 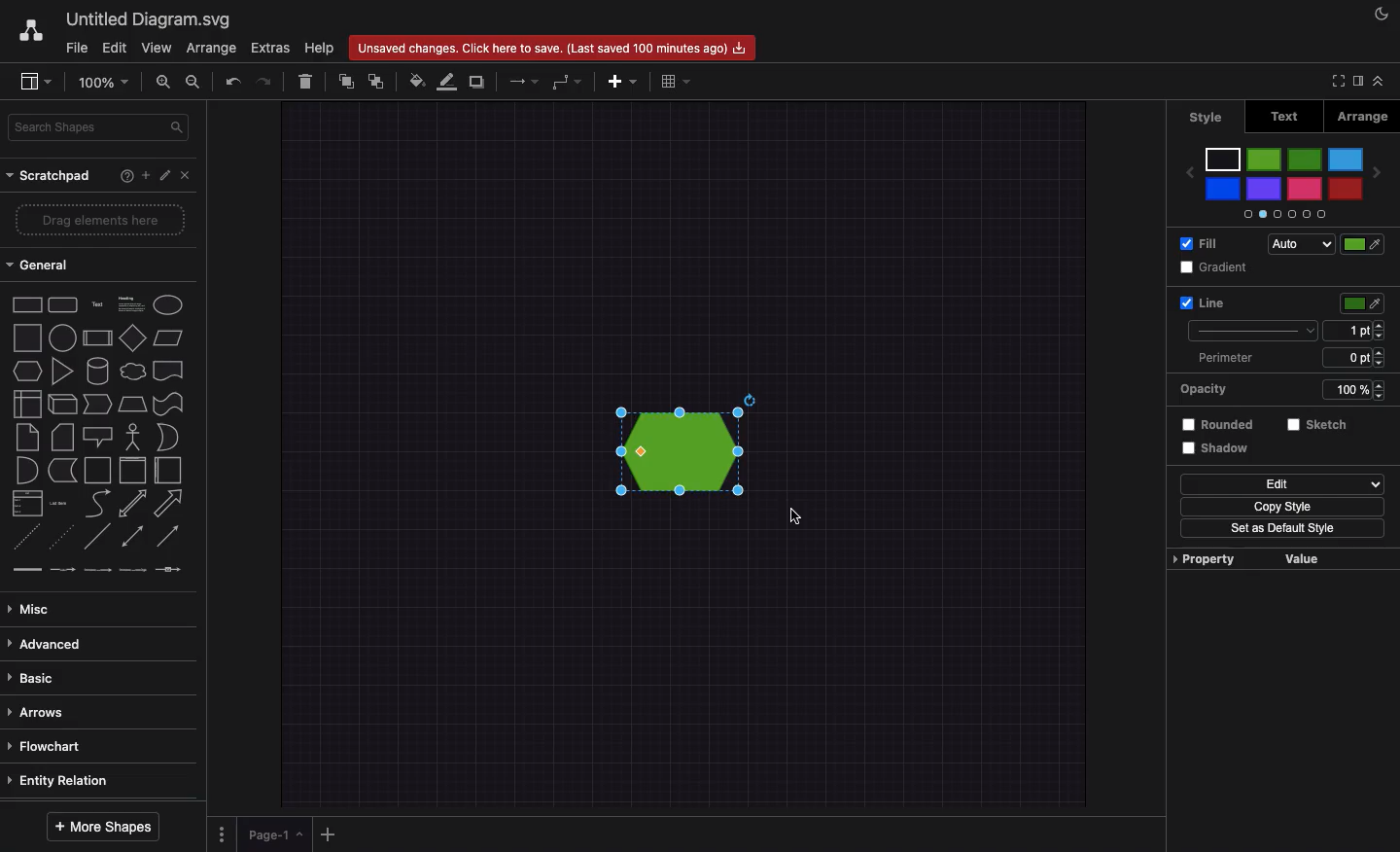 I want to click on Green selected, so click(x=1371, y=274).